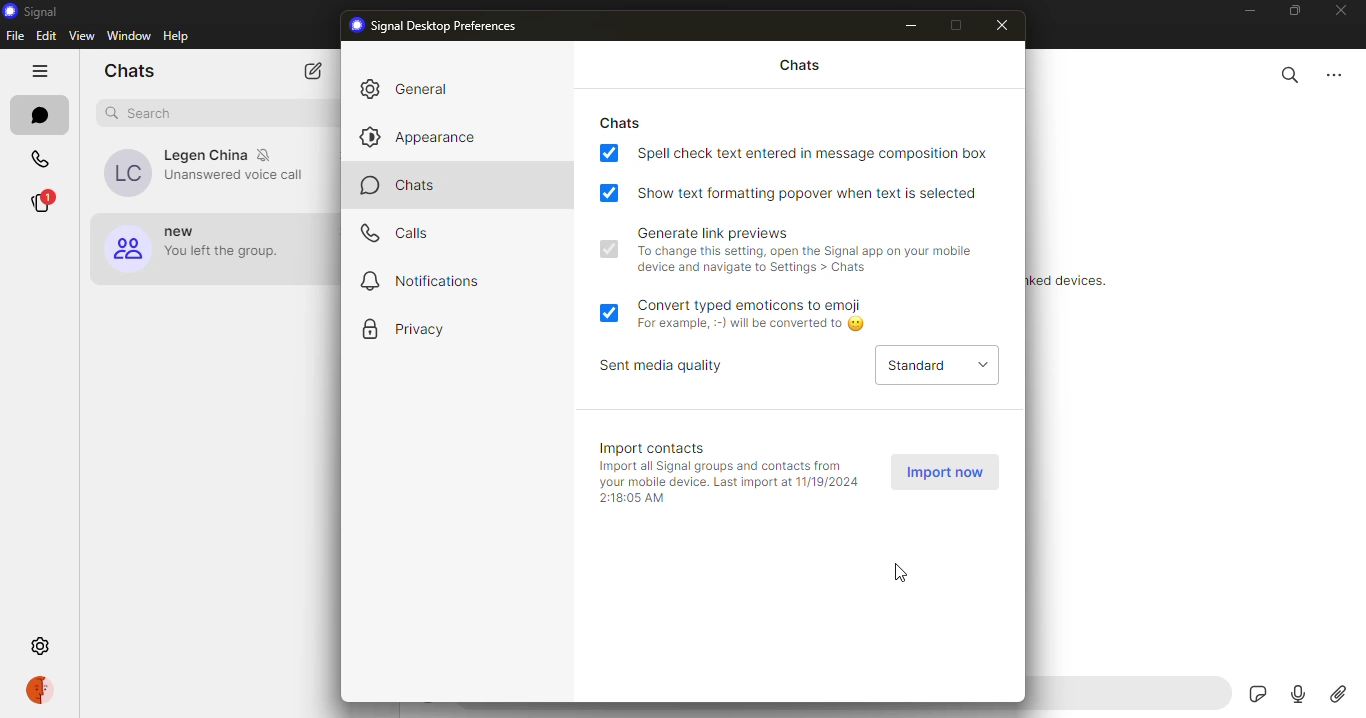 This screenshot has height=718, width=1366. Describe the element at coordinates (47, 201) in the screenshot. I see `stories` at that location.